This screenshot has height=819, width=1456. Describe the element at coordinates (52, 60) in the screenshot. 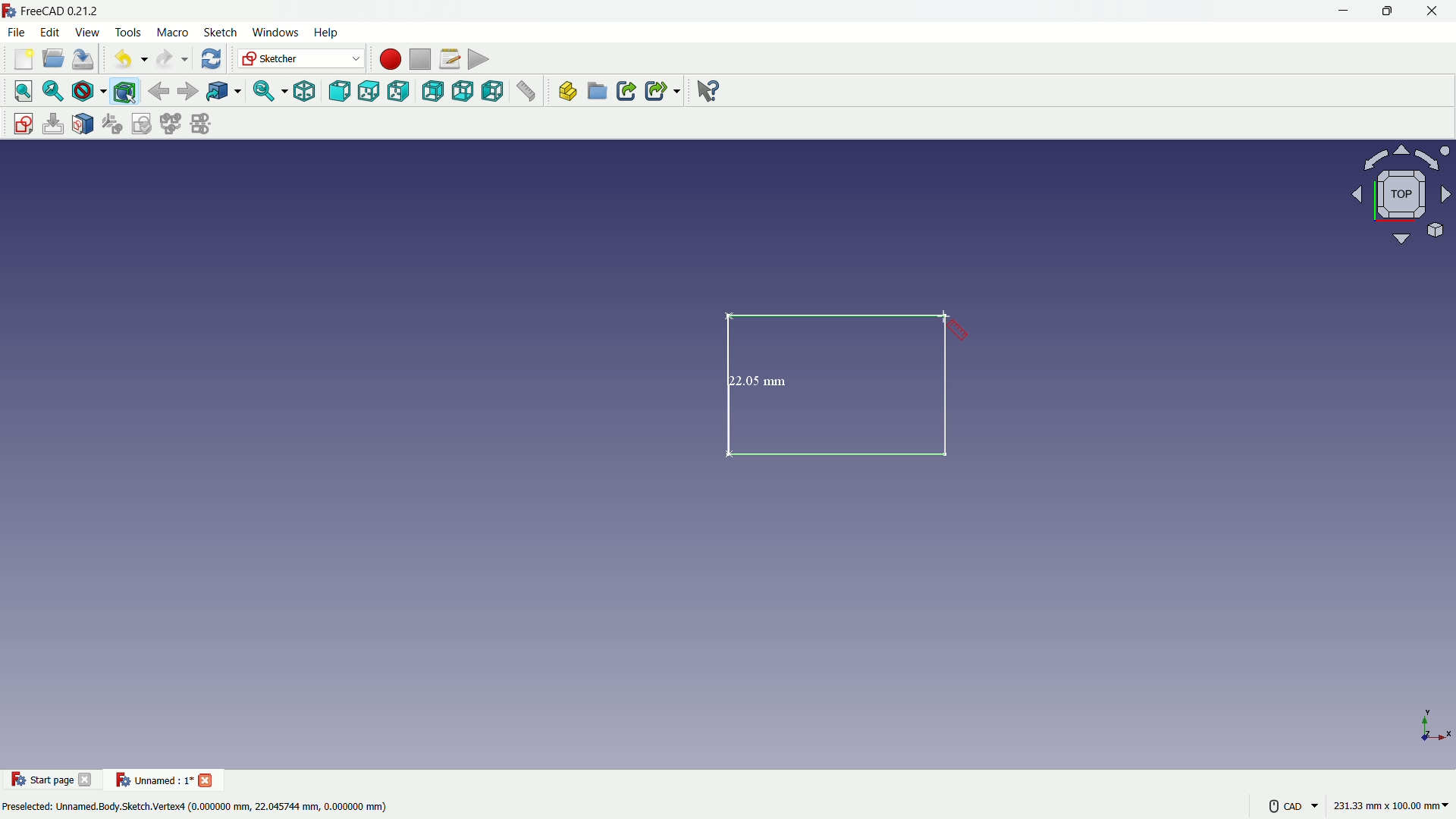

I see `open folder` at that location.